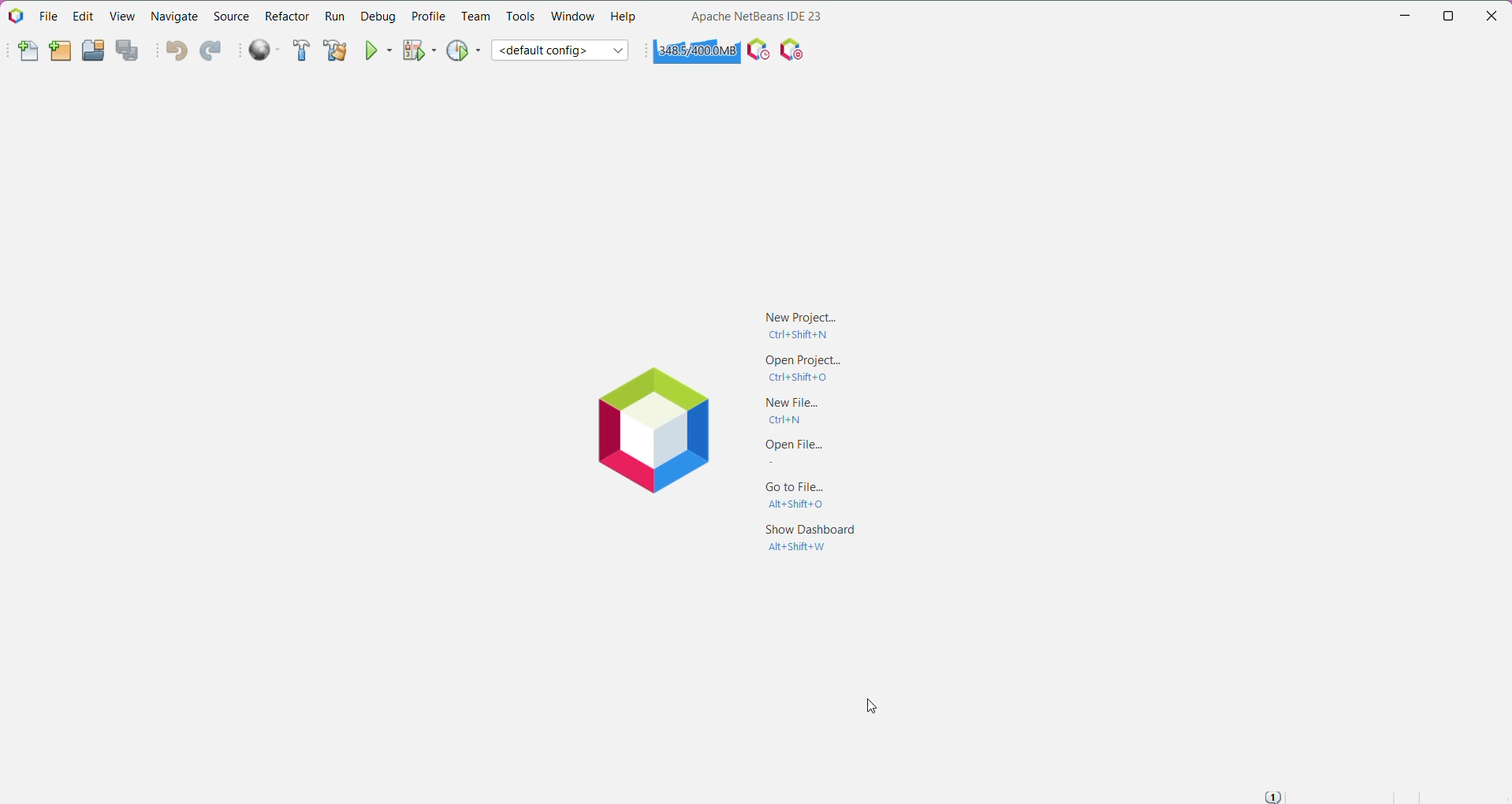  Describe the element at coordinates (420, 50) in the screenshot. I see `Debug Project` at that location.